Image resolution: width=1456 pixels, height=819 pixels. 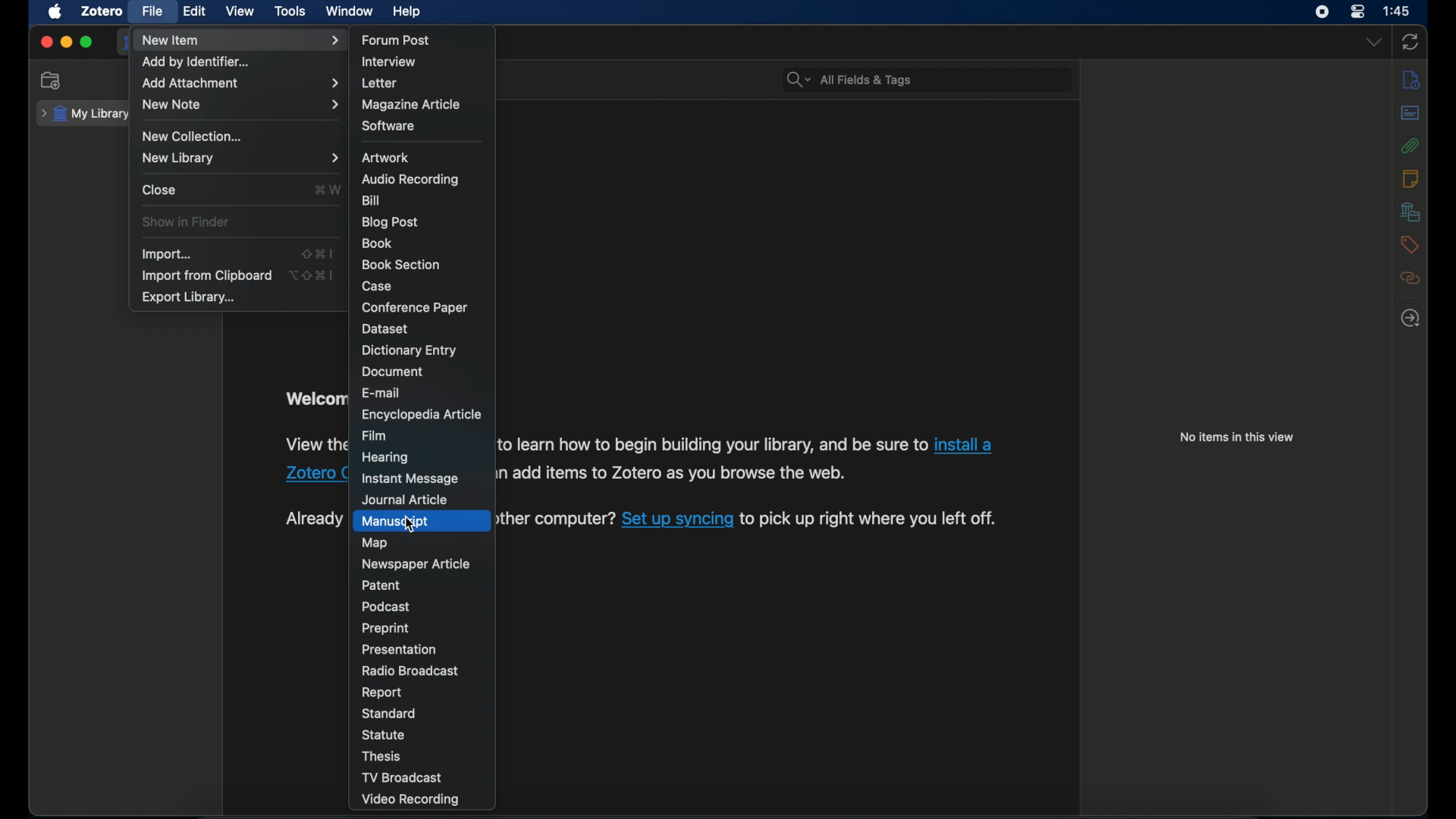 I want to click on preprint, so click(x=388, y=629).